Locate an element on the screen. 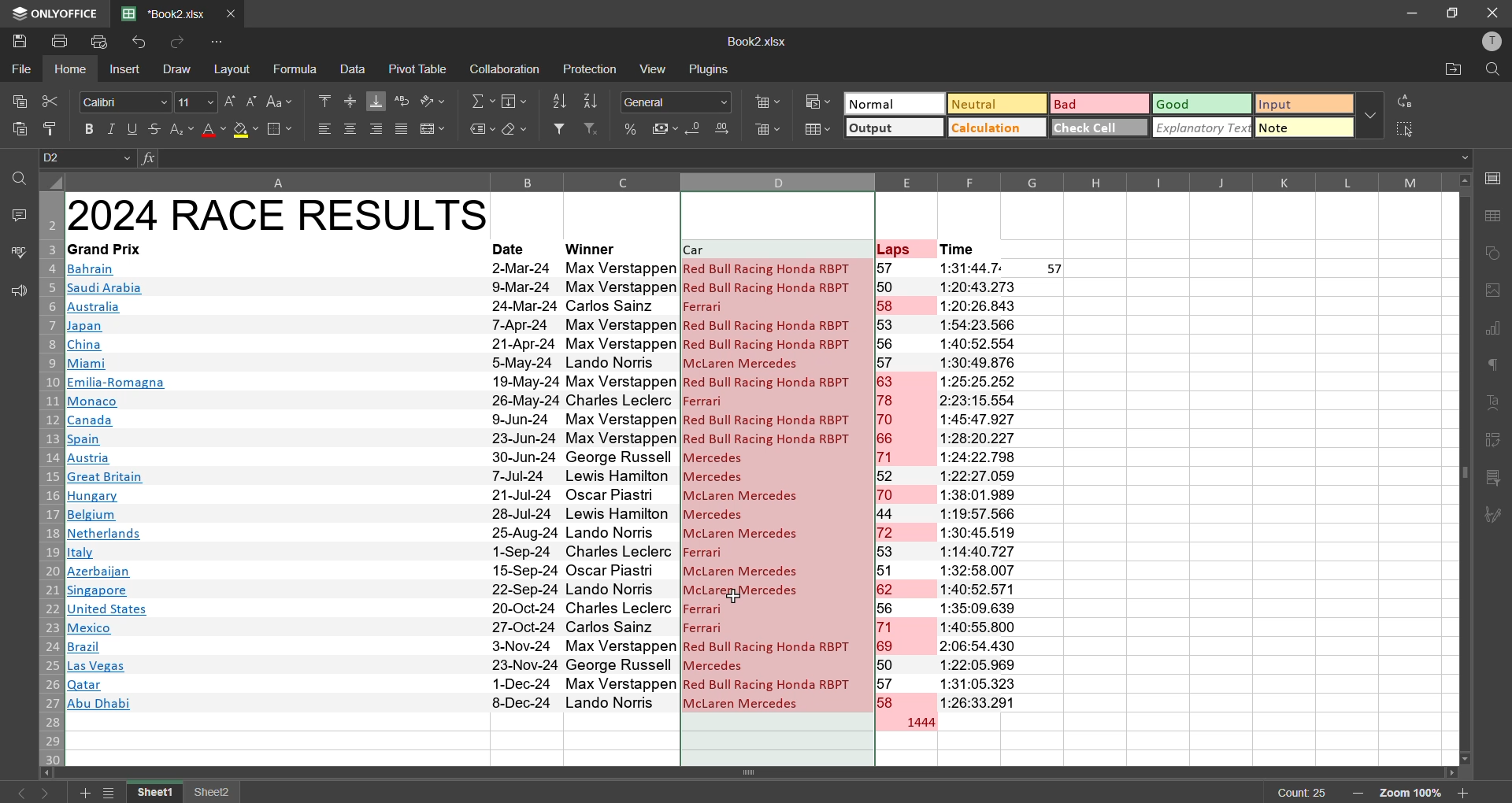  good is located at coordinates (1202, 103).